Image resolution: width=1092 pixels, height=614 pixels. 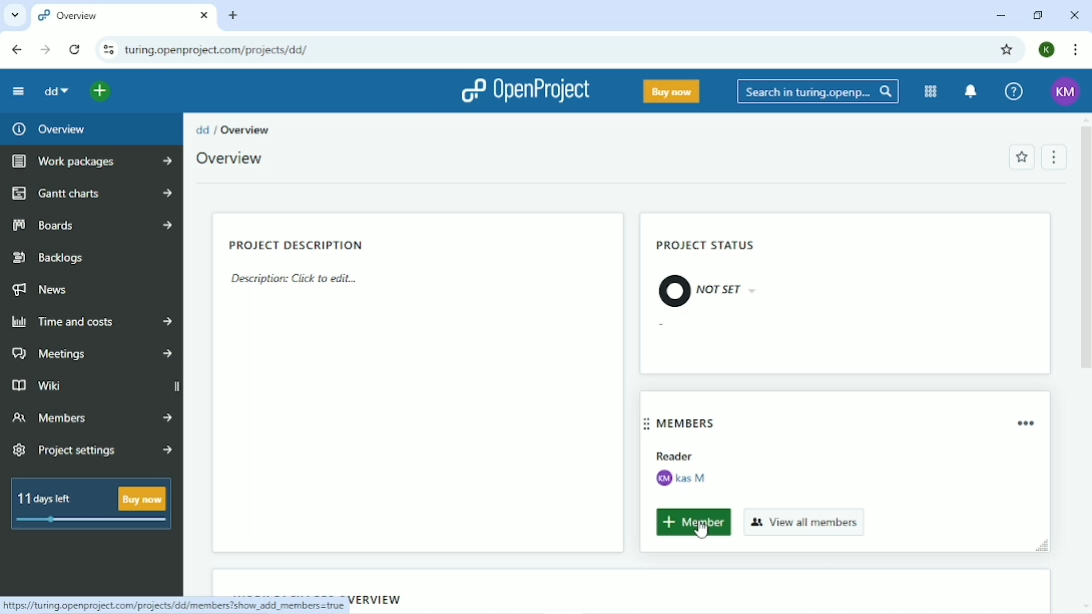 What do you see at coordinates (1065, 92) in the screenshot?
I see `Account` at bounding box center [1065, 92].